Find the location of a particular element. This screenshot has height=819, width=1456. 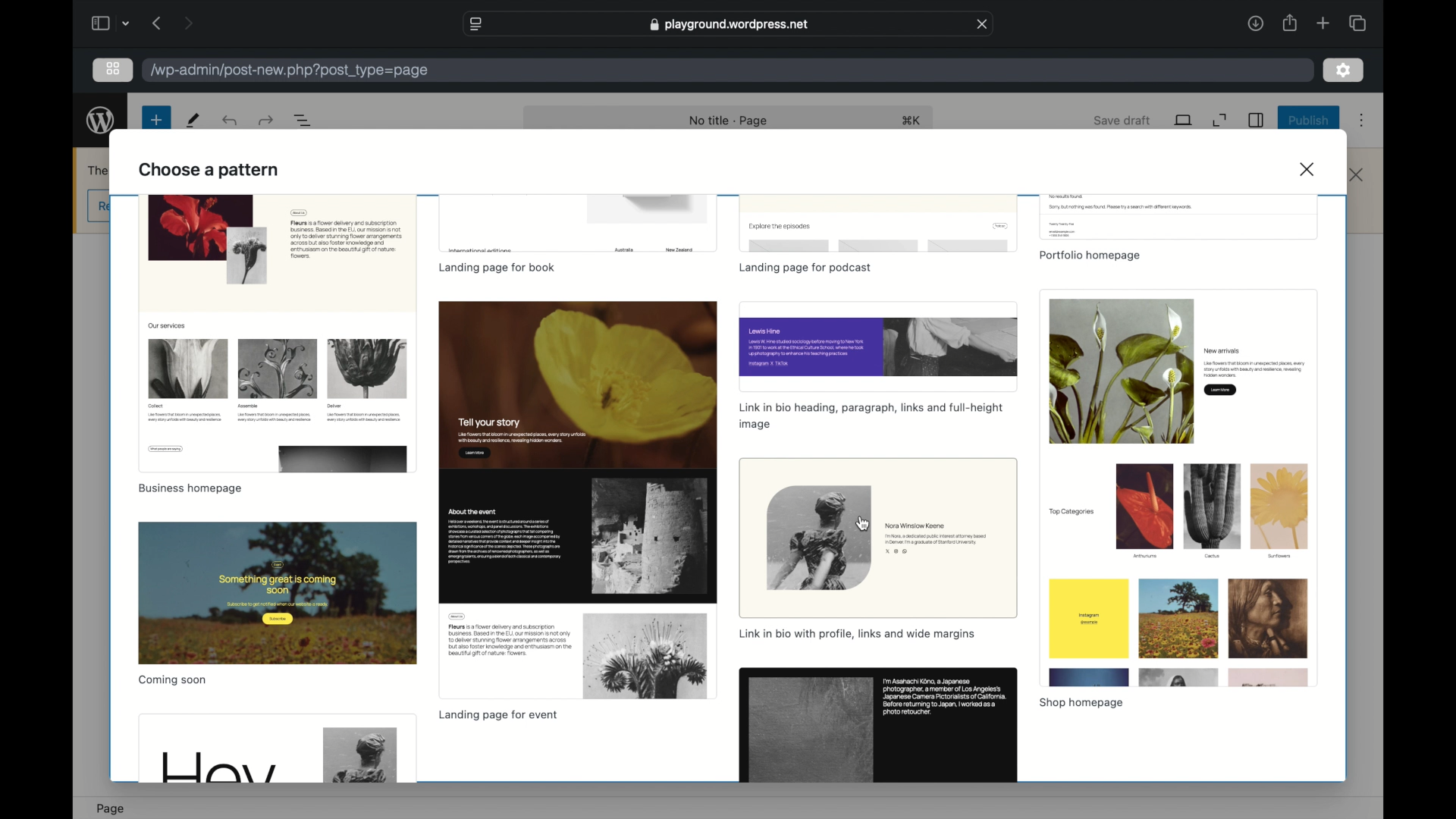

more options is located at coordinates (1362, 121).